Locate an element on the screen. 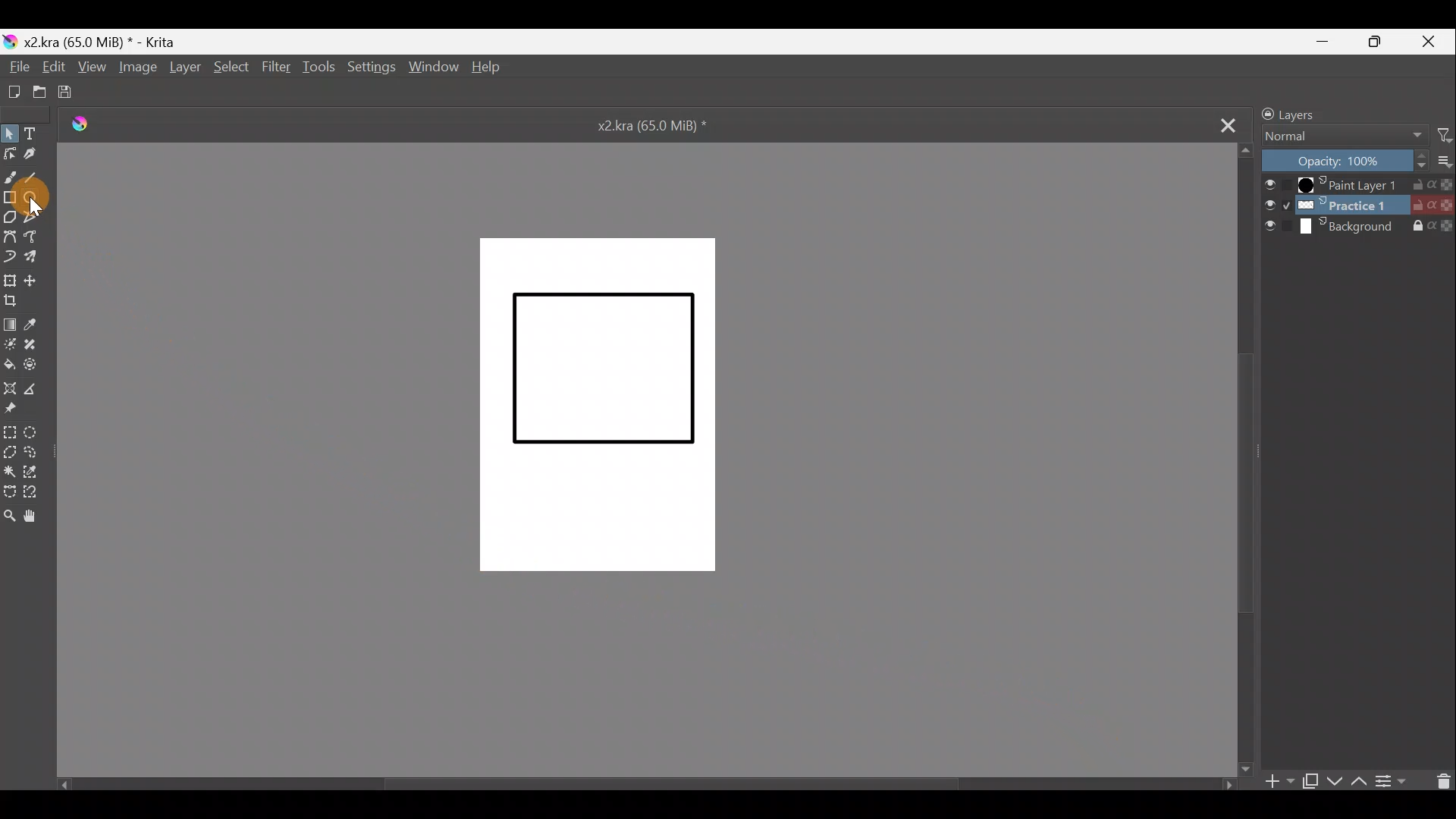 The image size is (1456, 819). Practice 1 is located at coordinates (1359, 206).